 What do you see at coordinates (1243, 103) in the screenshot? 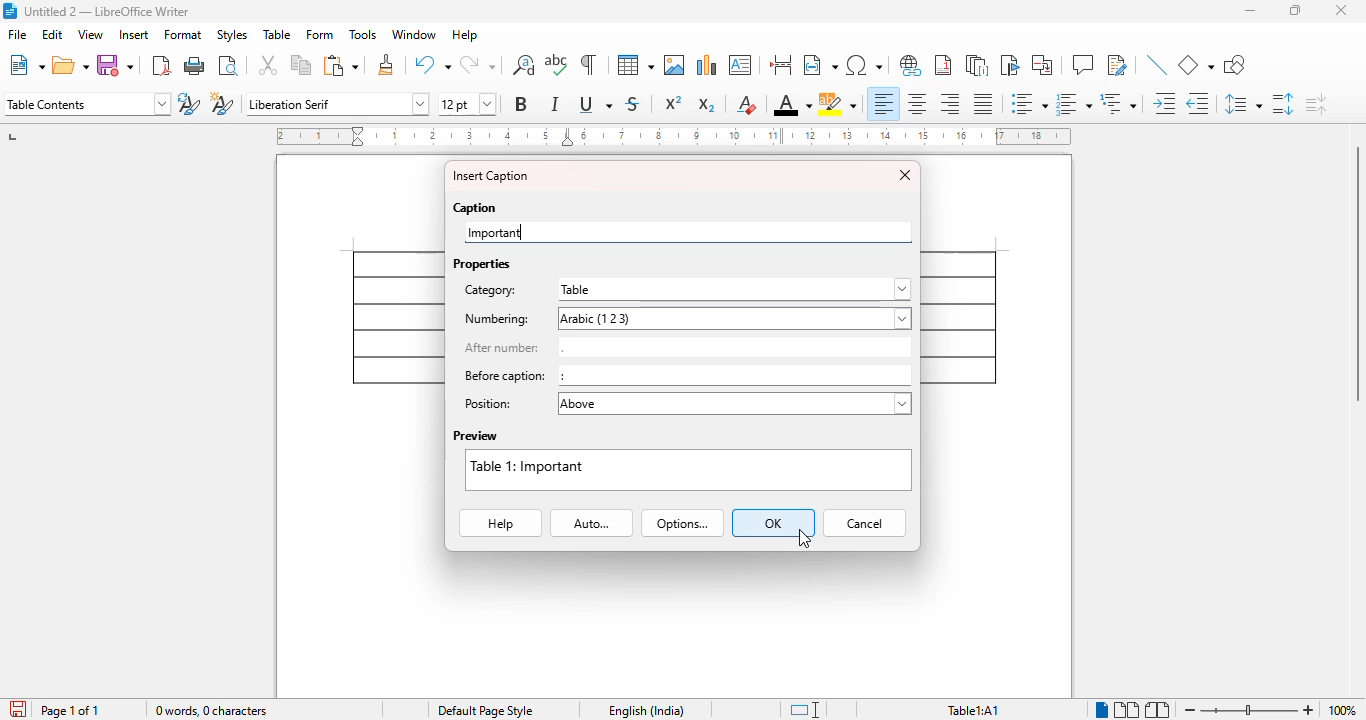
I see `set line spacing` at bounding box center [1243, 103].